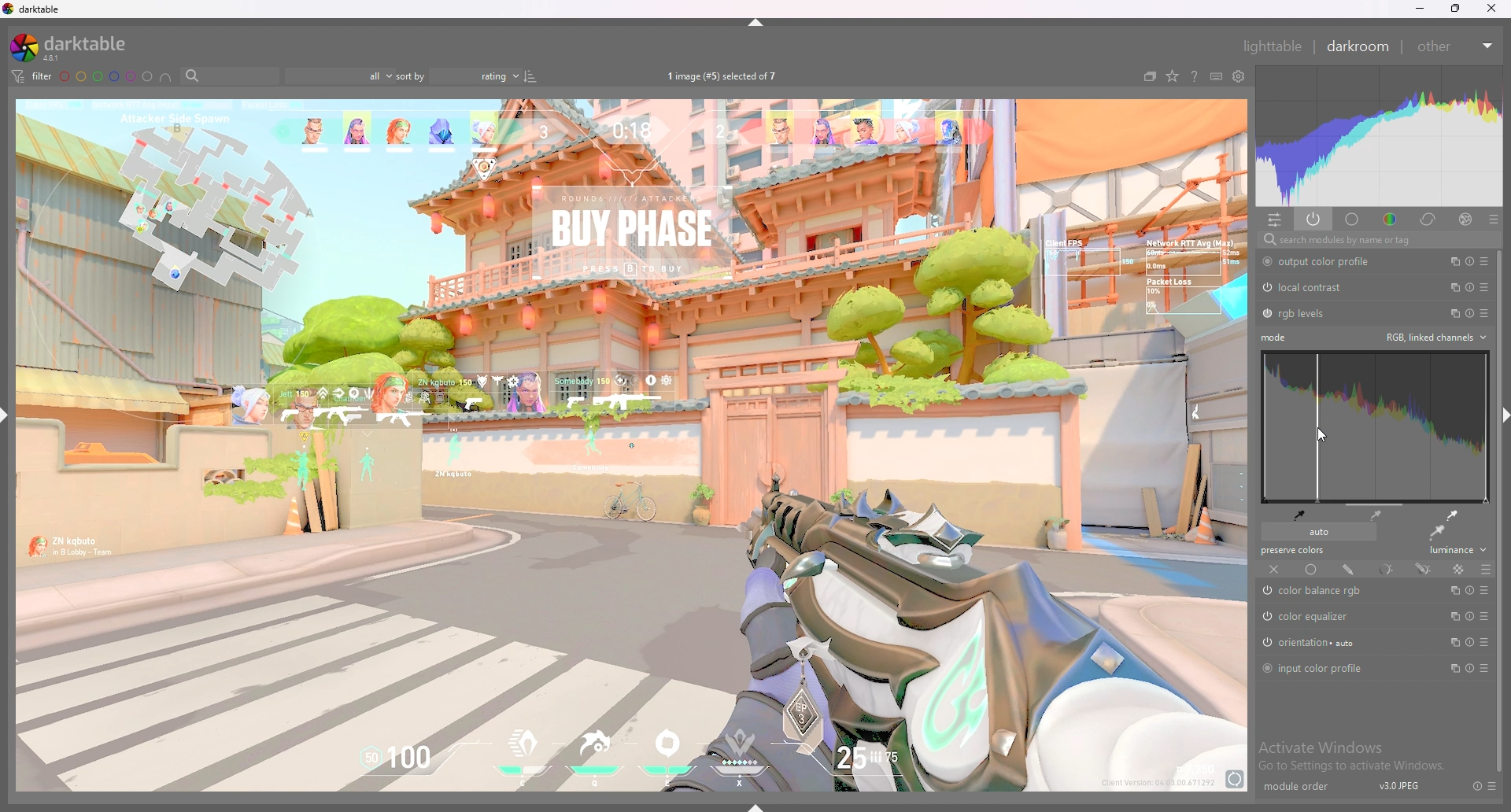 The height and width of the screenshot is (812, 1511). Describe the element at coordinates (1494, 785) in the screenshot. I see `presets` at that location.